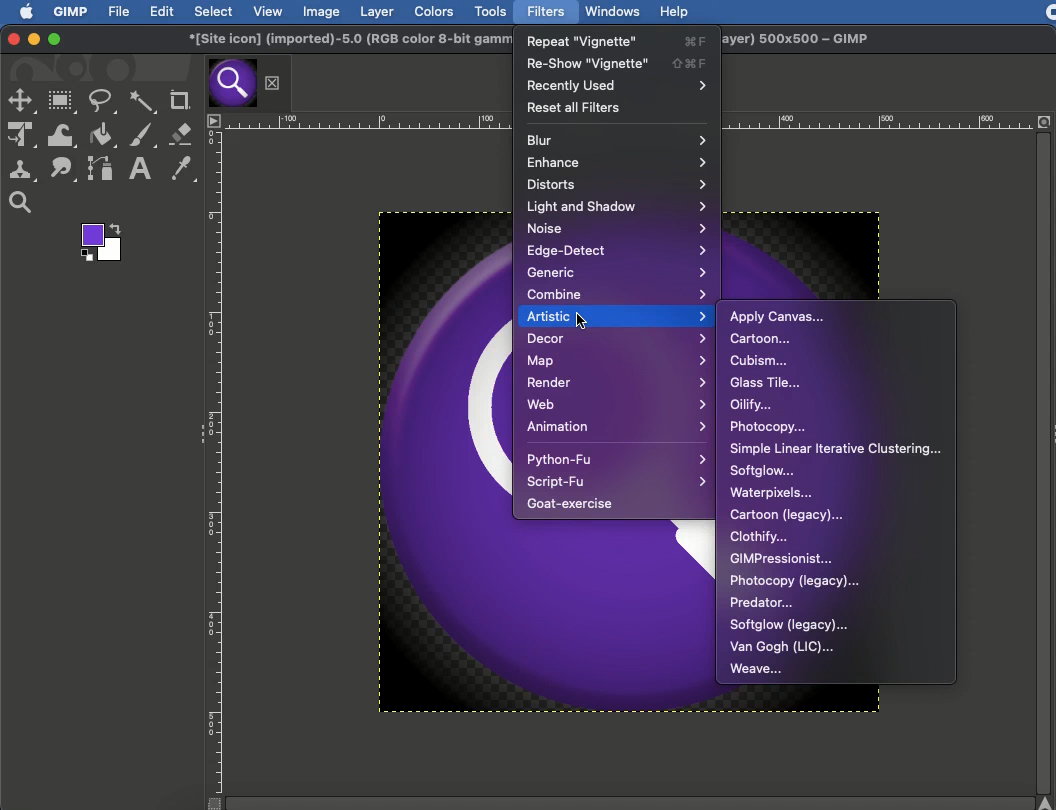 Image resolution: width=1056 pixels, height=810 pixels. I want to click on Waterpixels, so click(771, 494).